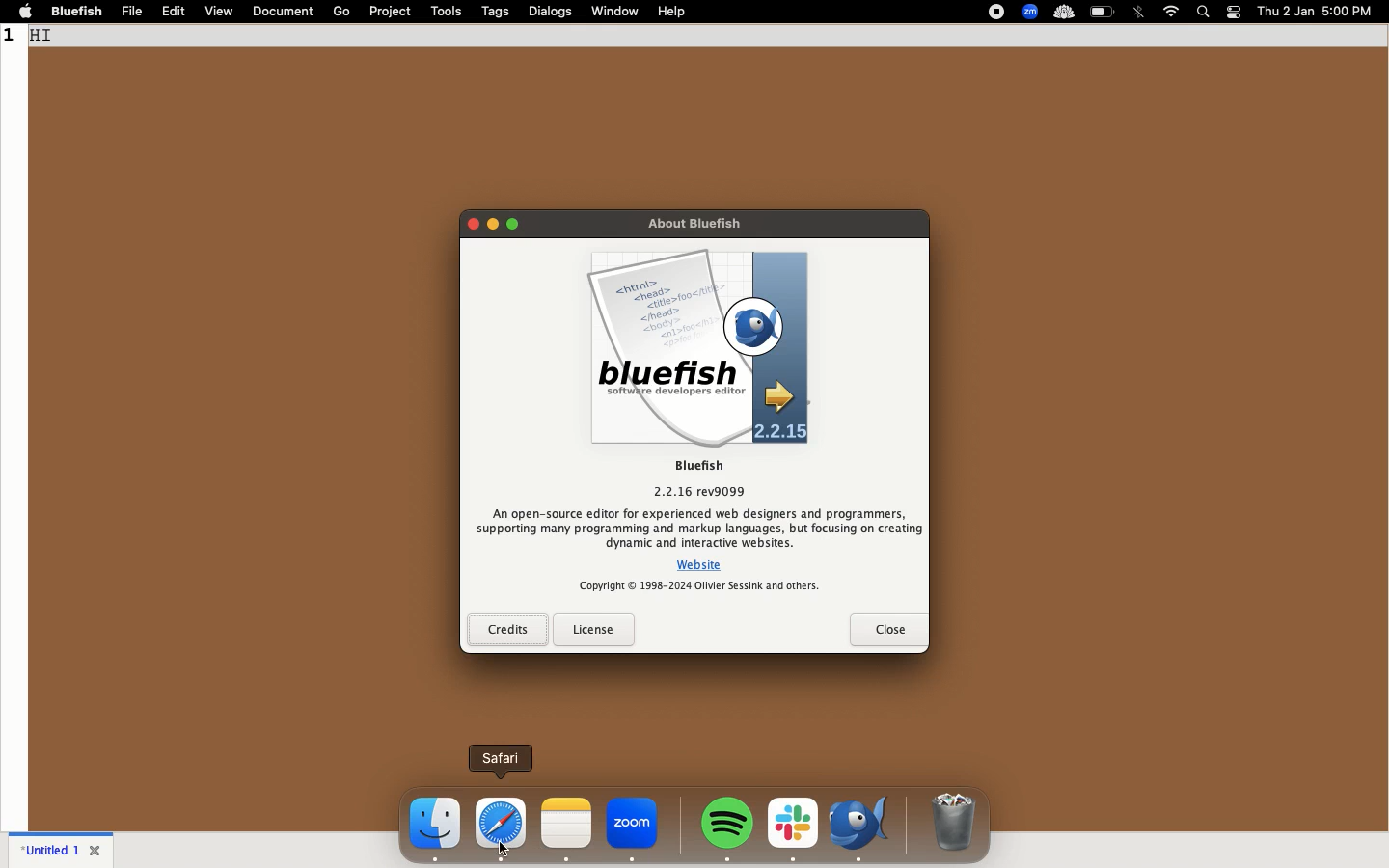 The height and width of the screenshot is (868, 1389). Describe the element at coordinates (674, 12) in the screenshot. I see `help` at that location.